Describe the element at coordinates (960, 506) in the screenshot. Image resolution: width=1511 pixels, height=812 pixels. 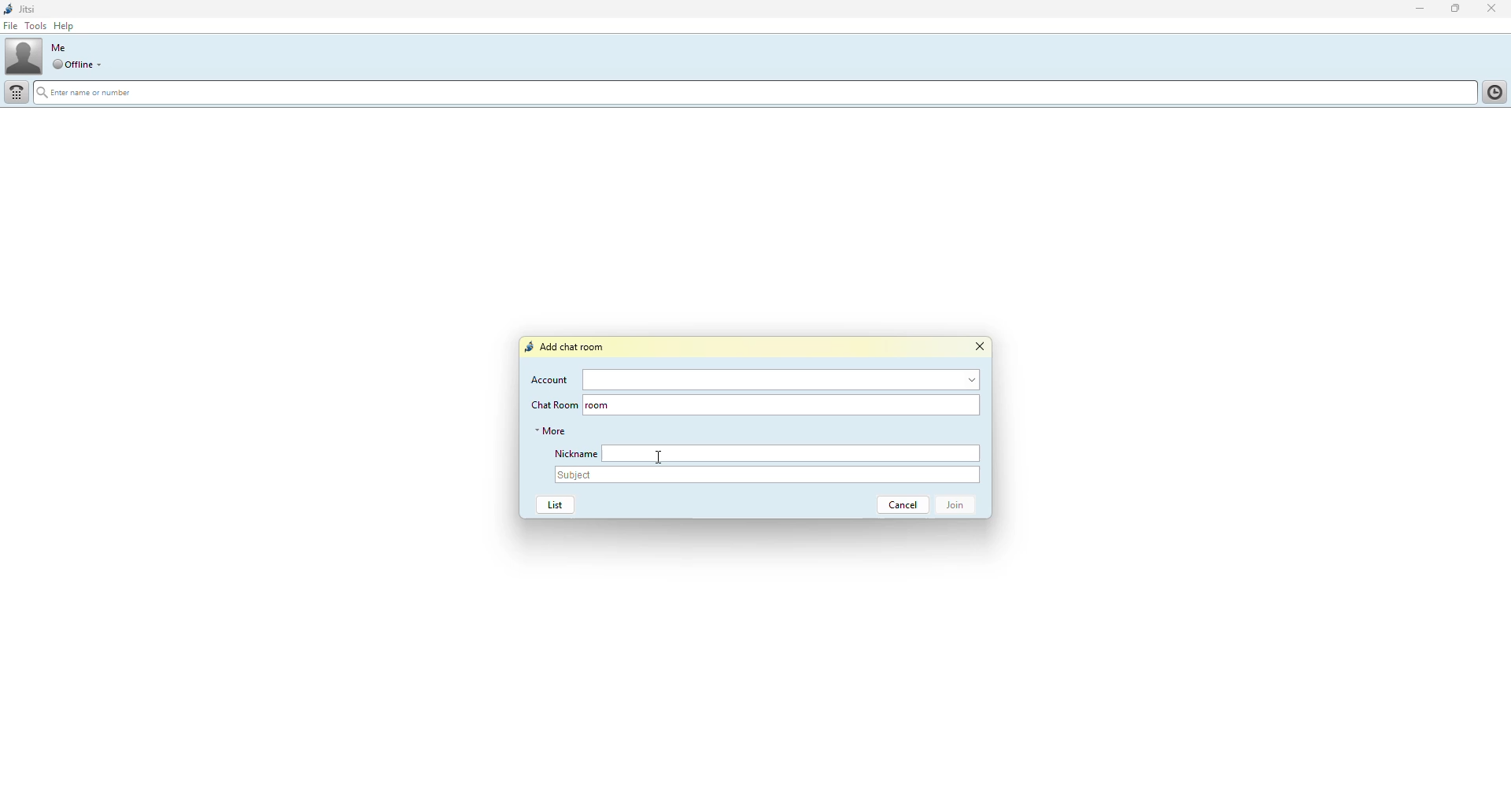
I see `join` at that location.